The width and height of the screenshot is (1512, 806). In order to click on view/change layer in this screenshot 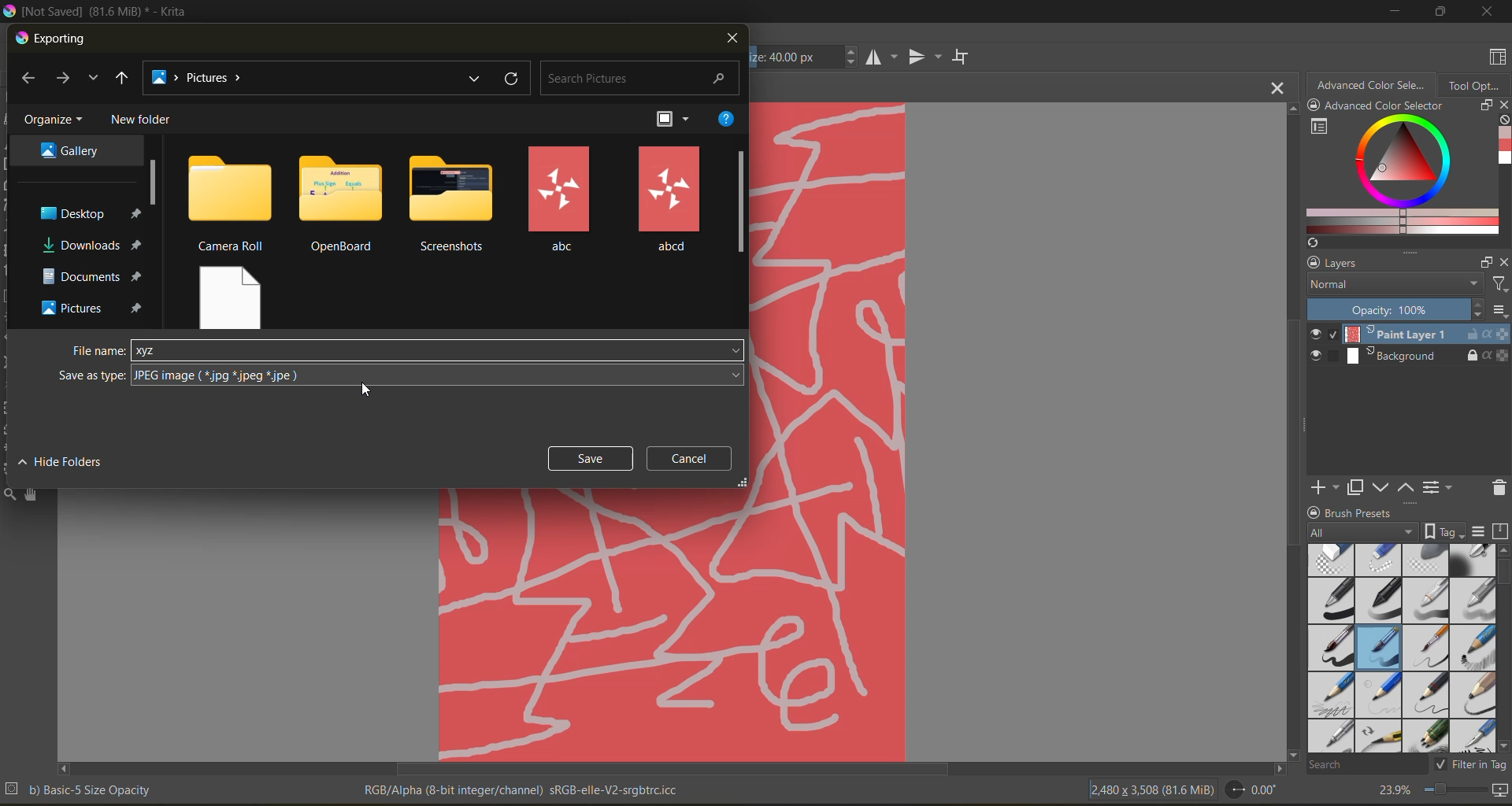, I will do `click(1442, 486)`.